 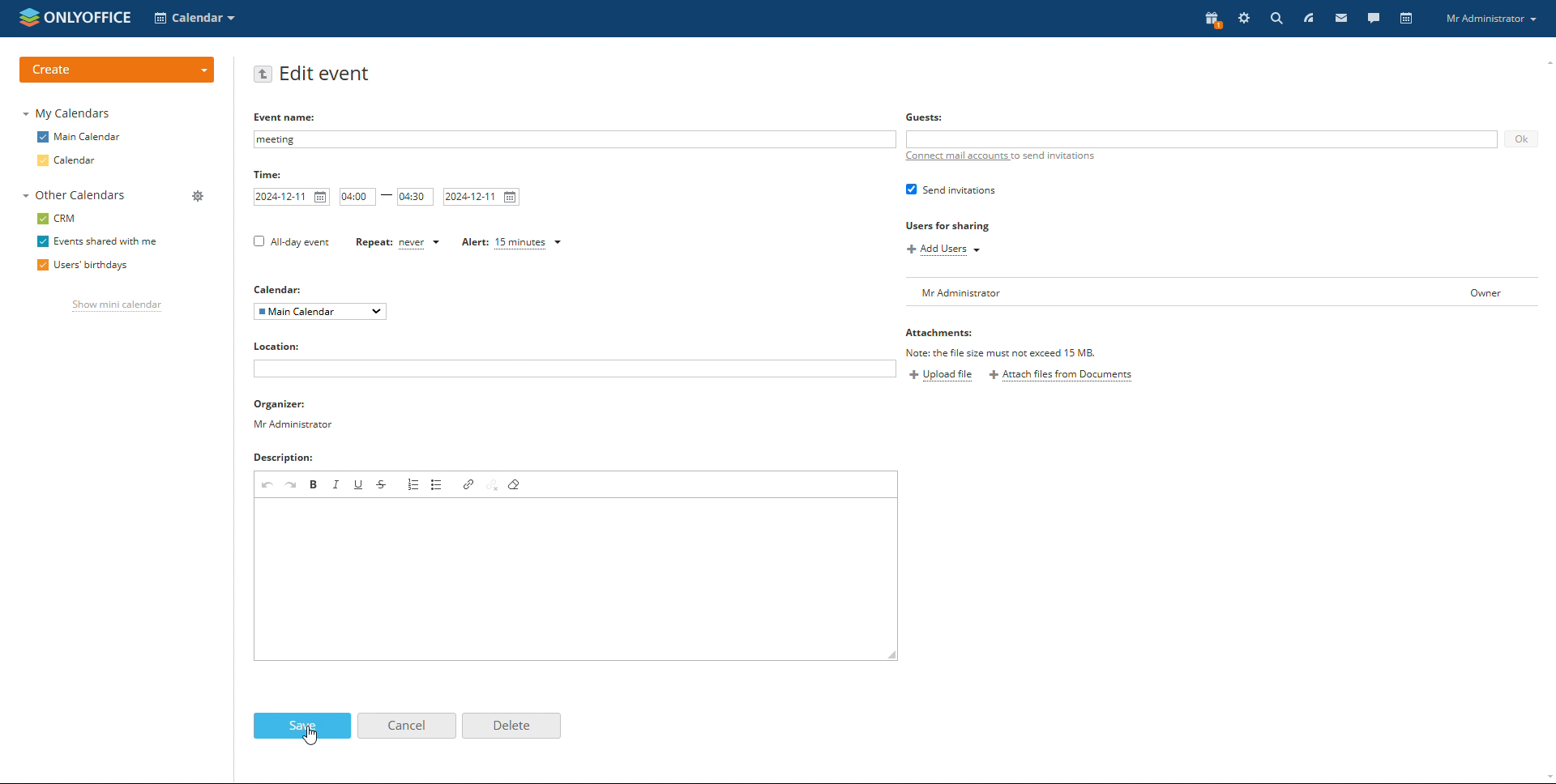 What do you see at coordinates (946, 334) in the screenshot?
I see `Attachments:` at bounding box center [946, 334].